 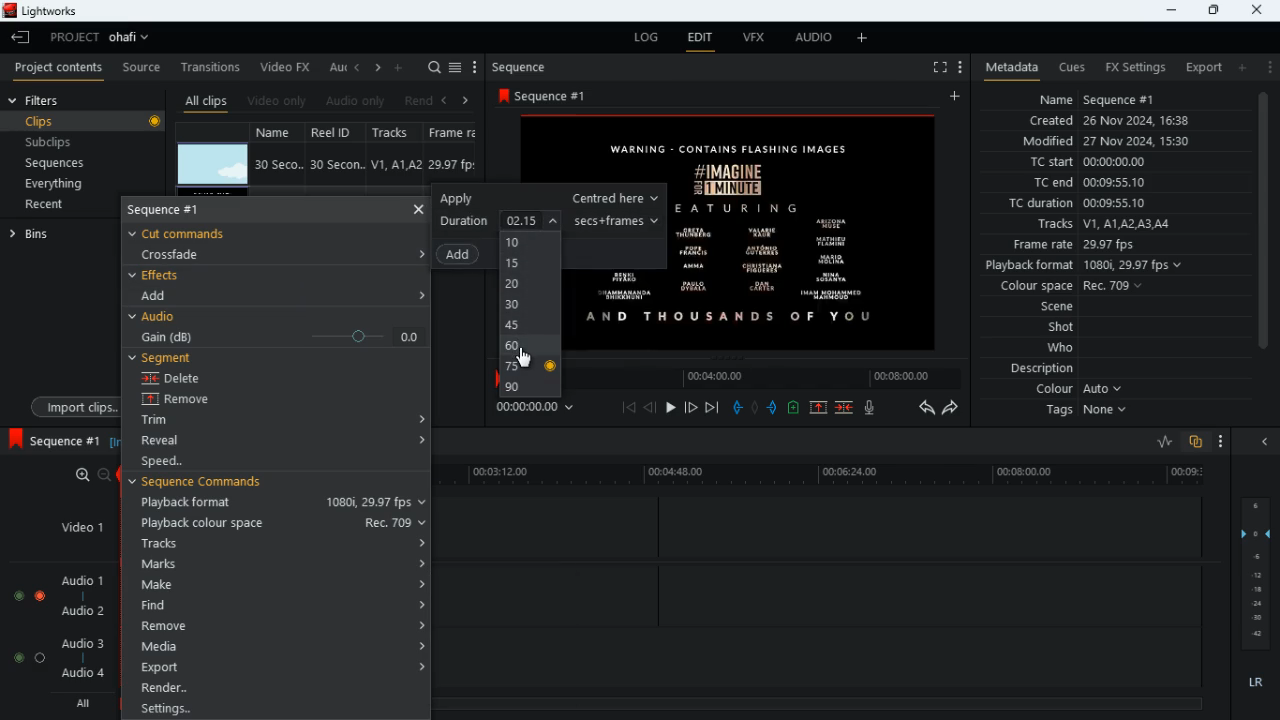 I want to click on text, so click(x=638, y=152).